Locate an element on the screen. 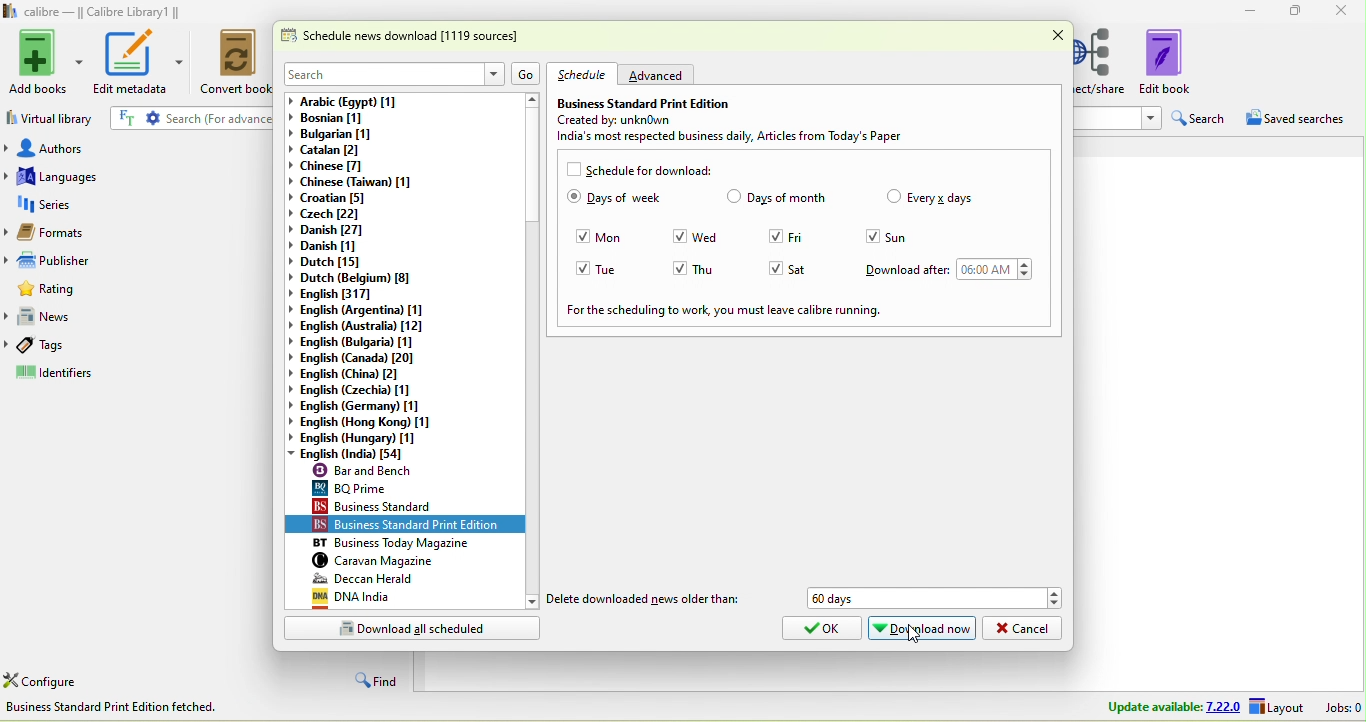  Checkbox is located at coordinates (572, 198).